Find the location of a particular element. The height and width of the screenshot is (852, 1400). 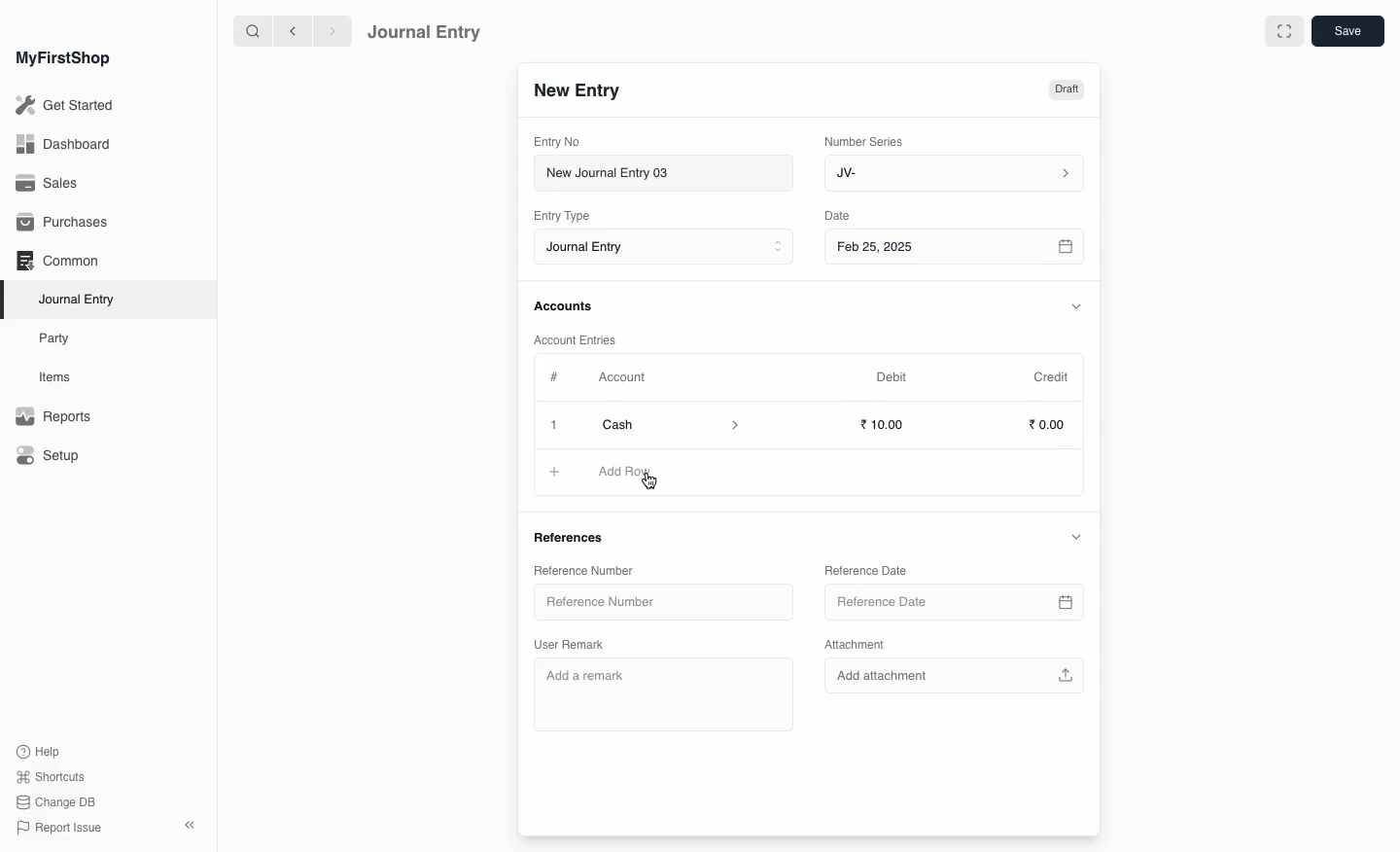

New Journal Entry 03 is located at coordinates (669, 174).